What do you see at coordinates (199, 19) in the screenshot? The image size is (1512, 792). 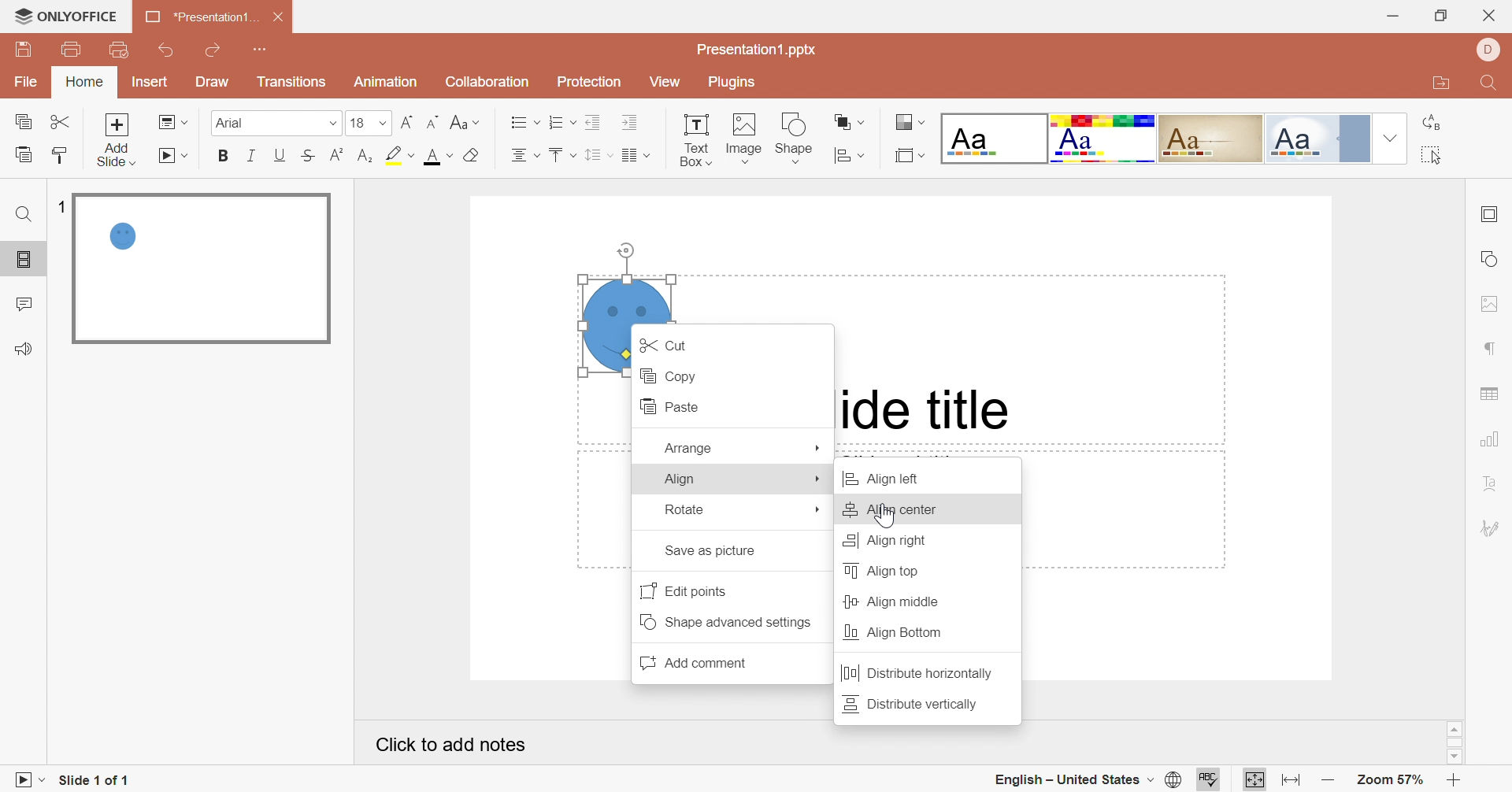 I see `*Presentation1` at bounding box center [199, 19].